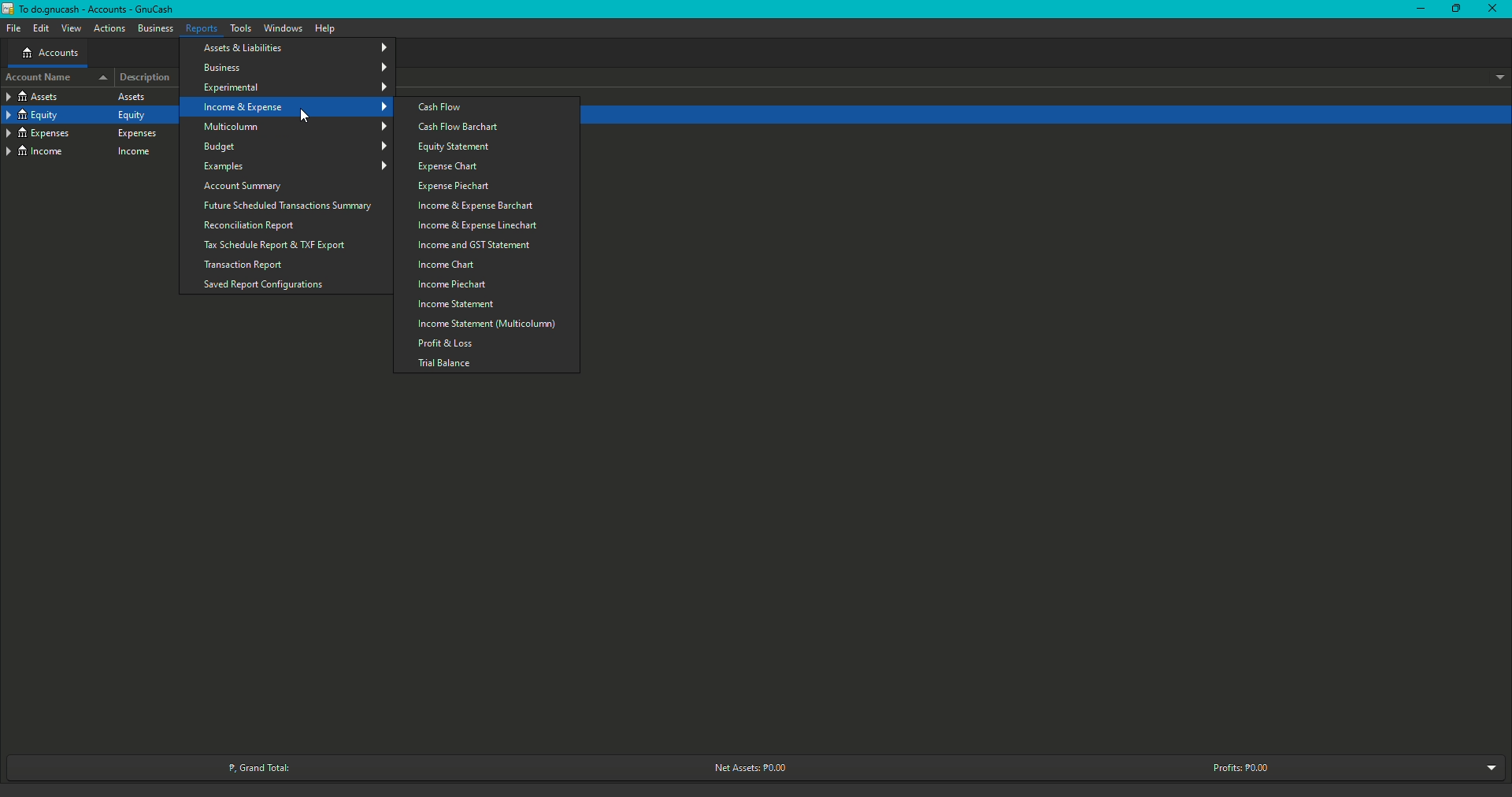 The image size is (1512, 797). Describe the element at coordinates (479, 226) in the screenshot. I see `Income and Expense Linechart` at that location.